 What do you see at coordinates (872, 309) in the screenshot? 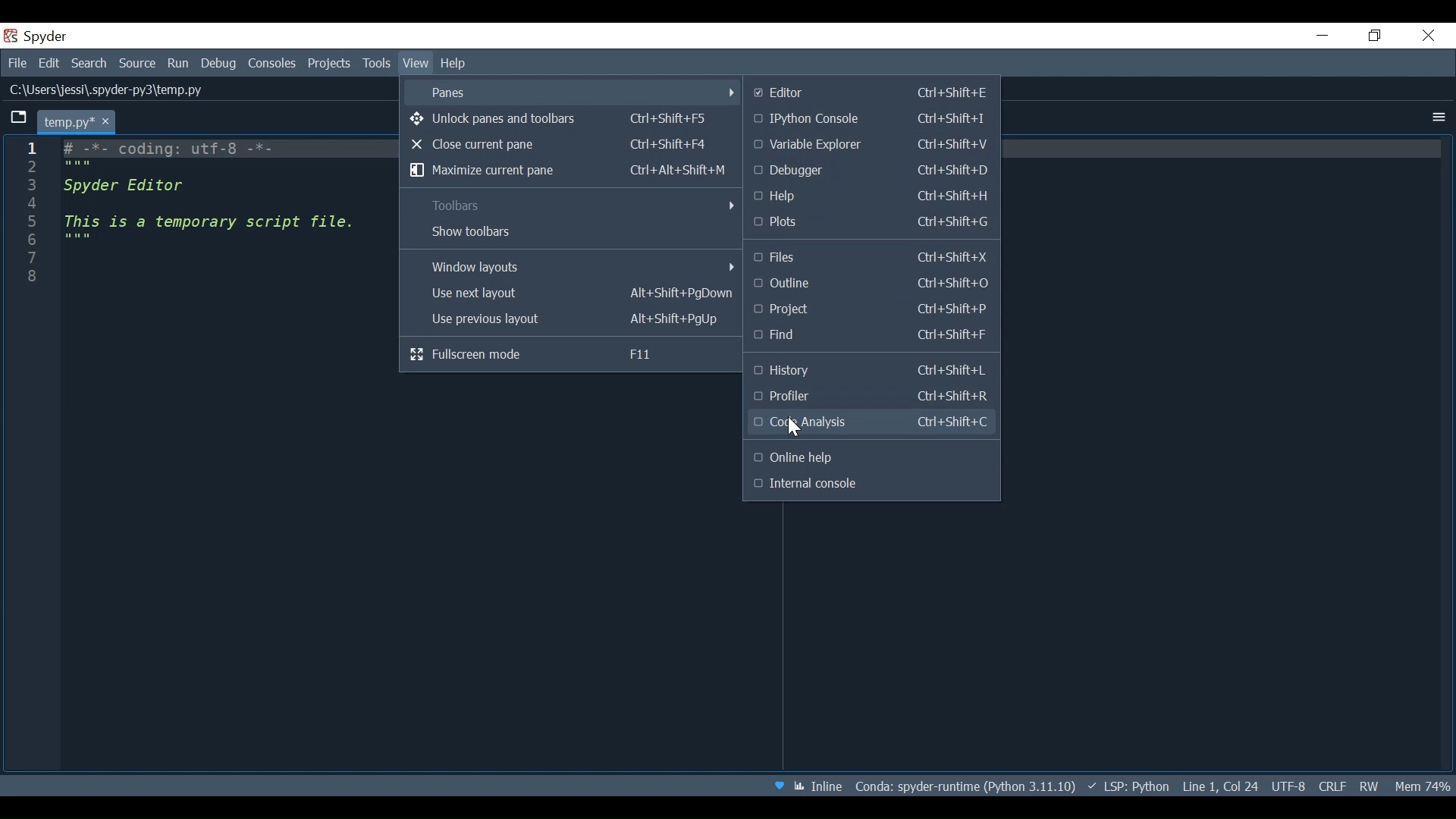
I see `Project` at bounding box center [872, 309].